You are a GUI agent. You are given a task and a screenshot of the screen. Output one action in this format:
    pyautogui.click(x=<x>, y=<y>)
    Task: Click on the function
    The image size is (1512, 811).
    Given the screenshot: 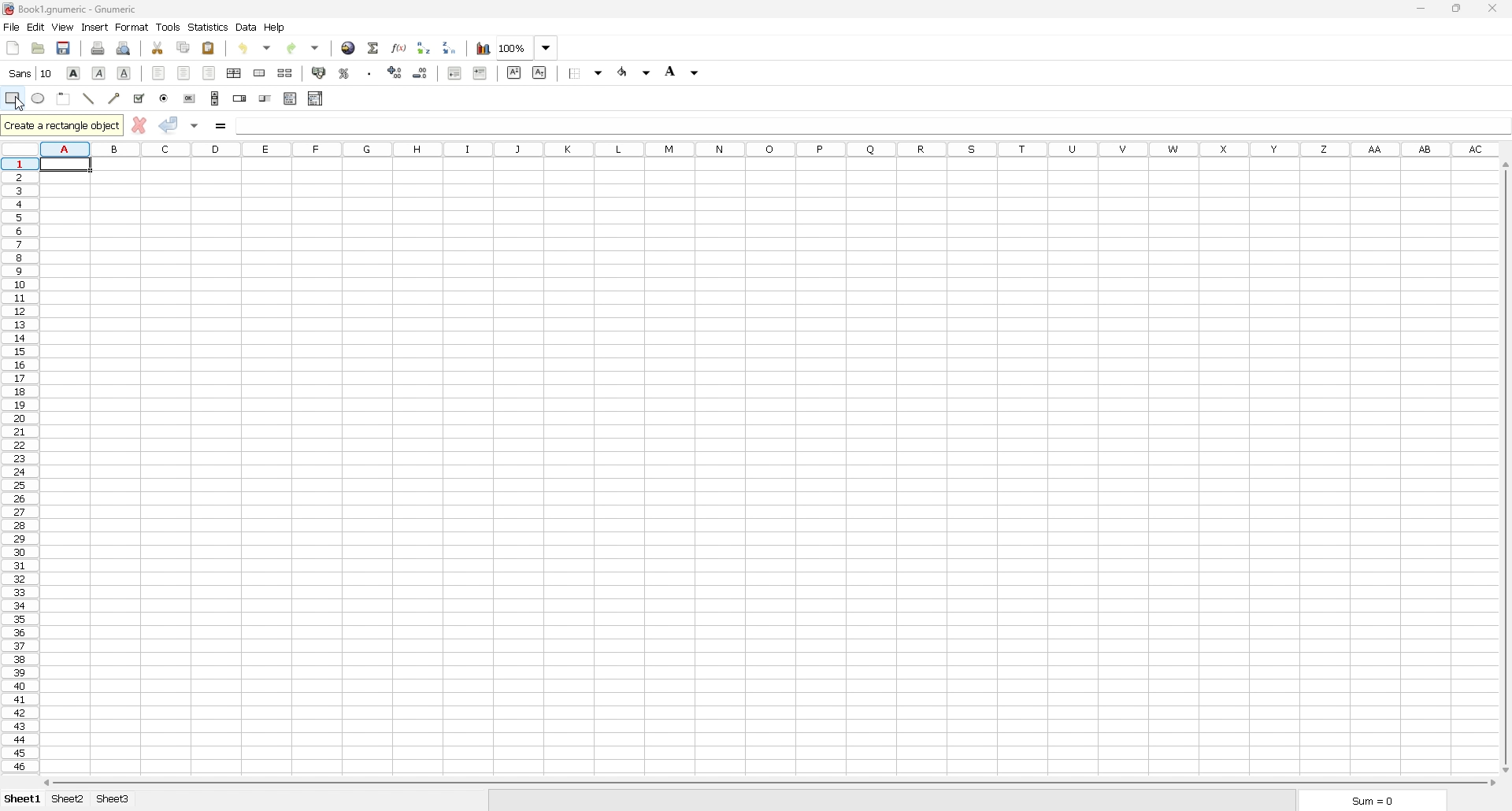 What is the action you would take?
    pyautogui.click(x=399, y=48)
    